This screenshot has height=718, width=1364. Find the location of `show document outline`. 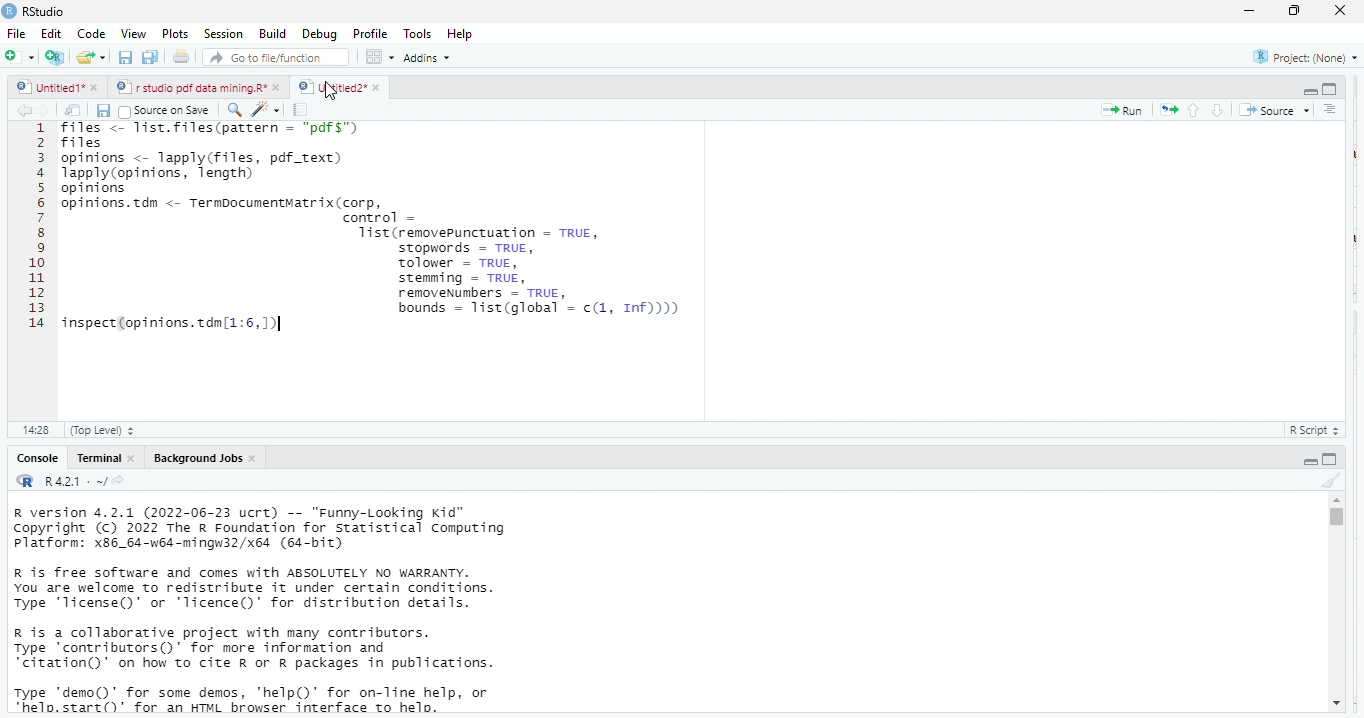

show document outline is located at coordinates (1332, 110).